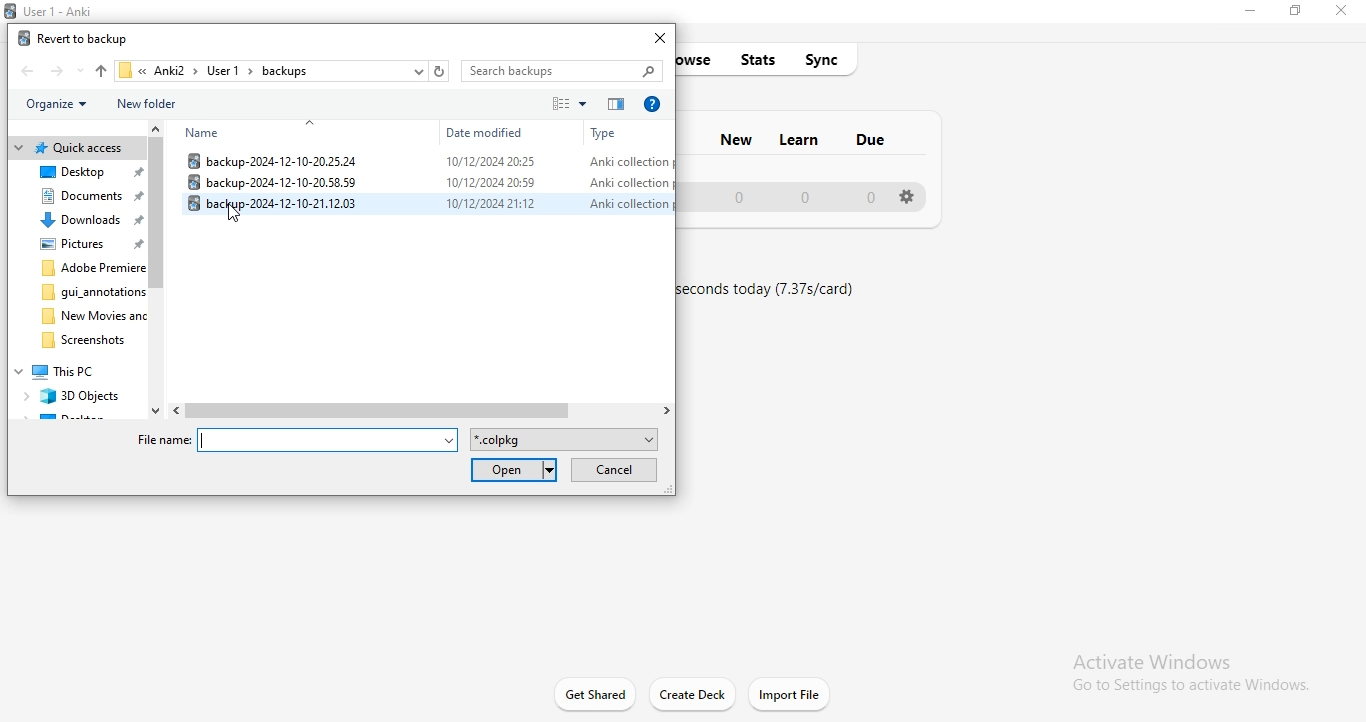  What do you see at coordinates (313, 122) in the screenshot?
I see `collapse` at bounding box center [313, 122].